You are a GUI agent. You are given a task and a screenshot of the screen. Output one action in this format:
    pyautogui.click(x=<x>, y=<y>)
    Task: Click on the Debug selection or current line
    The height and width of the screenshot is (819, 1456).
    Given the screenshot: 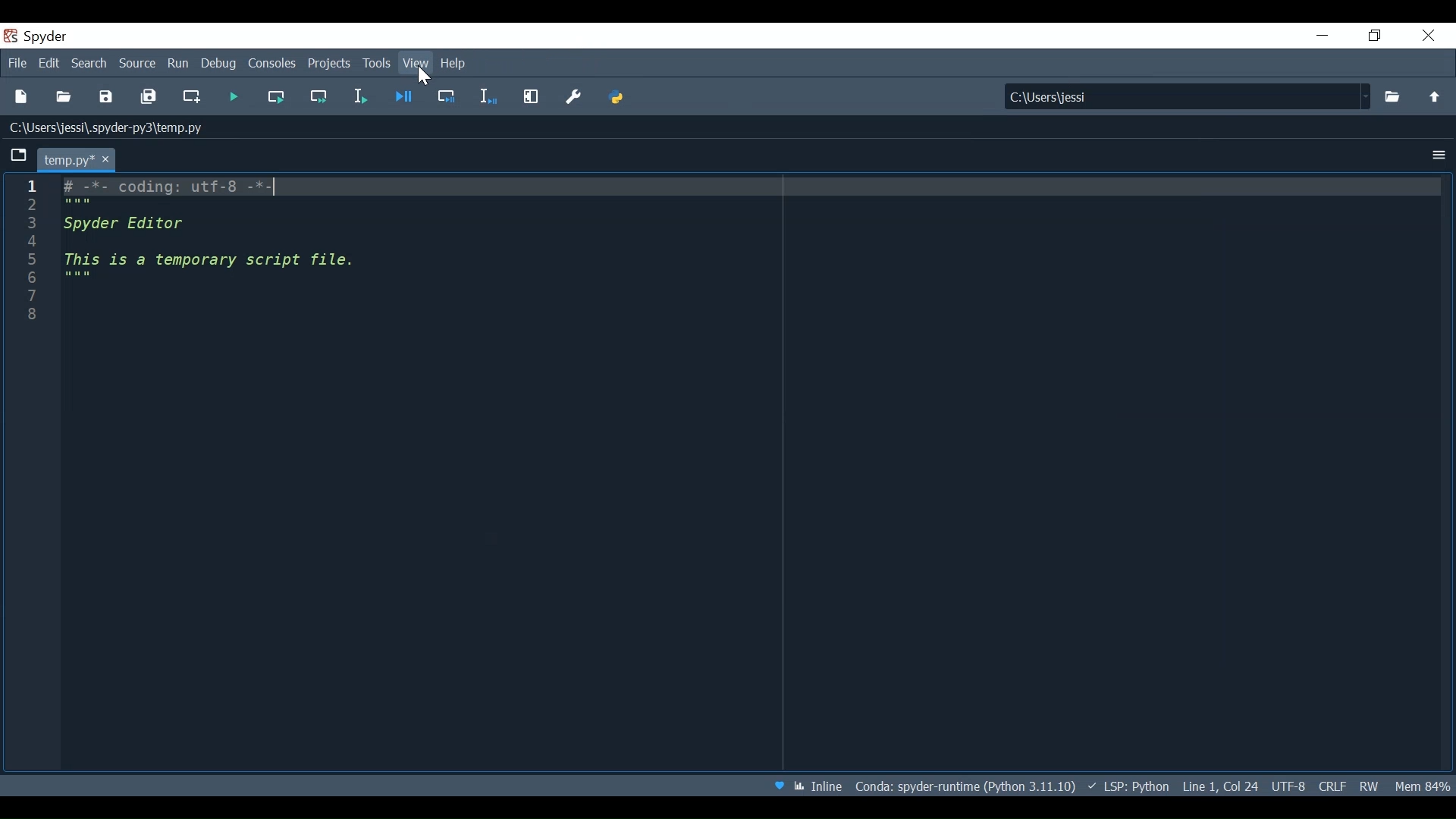 What is the action you would take?
    pyautogui.click(x=488, y=97)
    